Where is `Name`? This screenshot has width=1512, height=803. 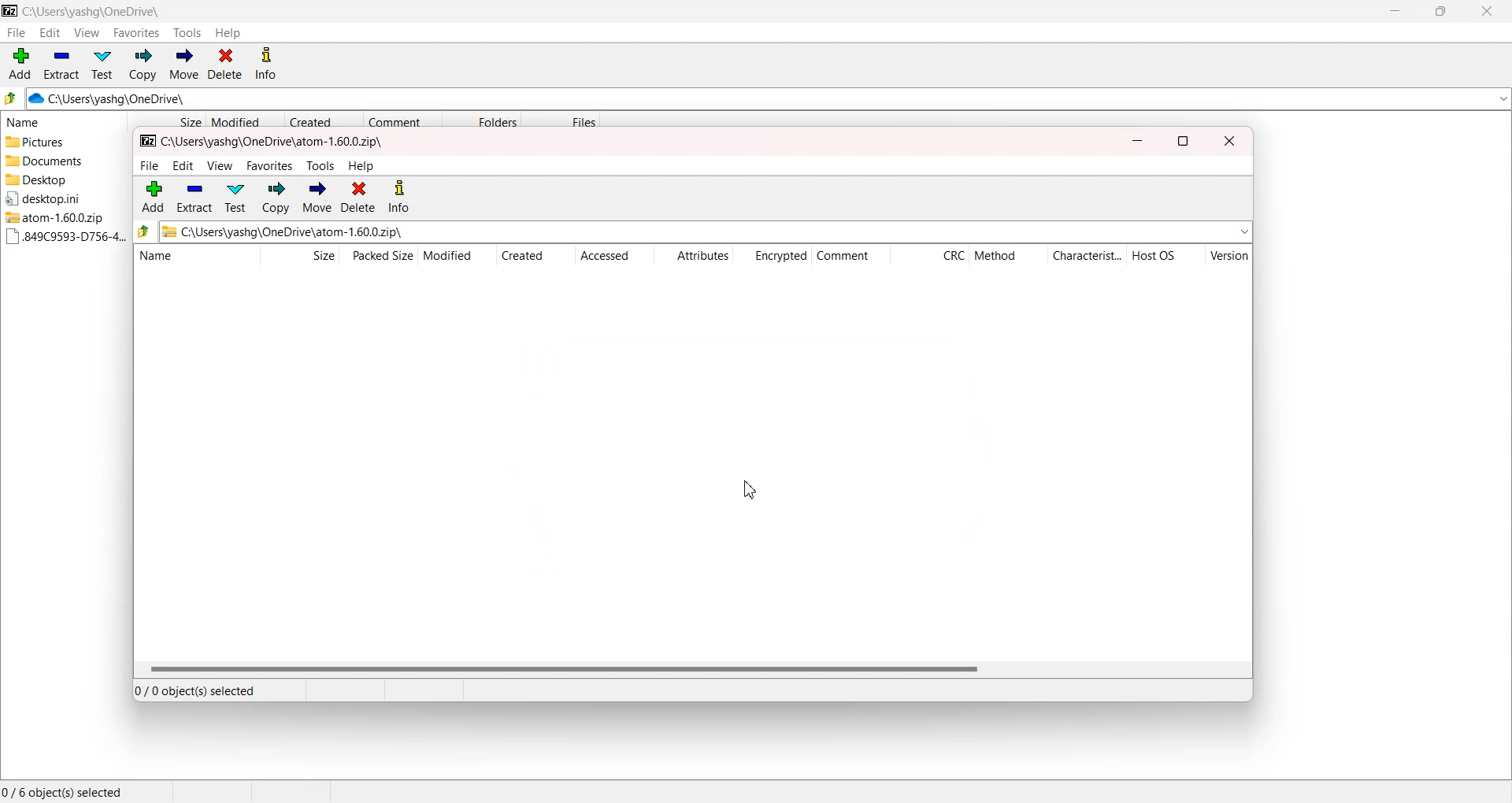
Name is located at coordinates (193, 254).